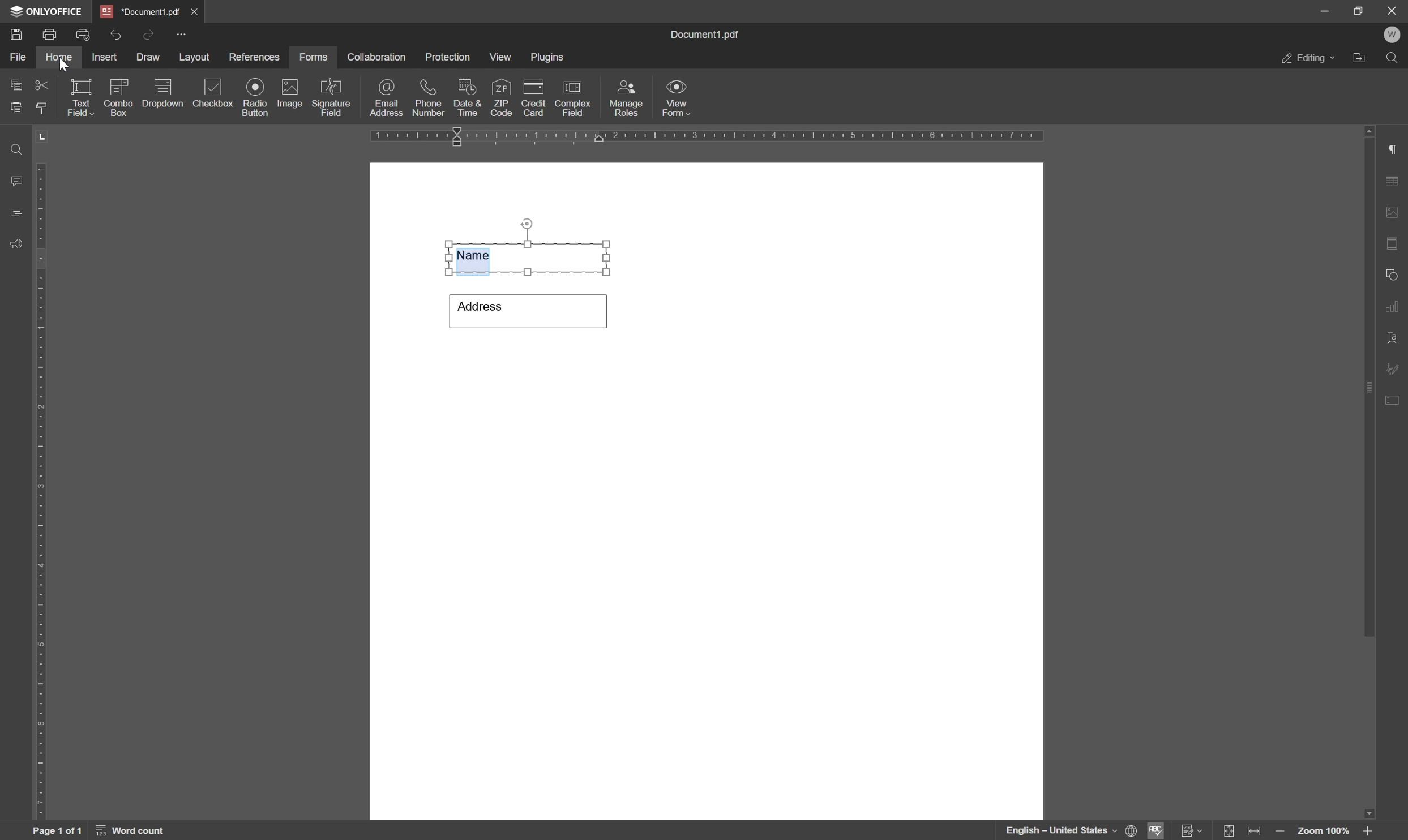  Describe the element at coordinates (1366, 831) in the screenshot. I see `zoom in` at that location.